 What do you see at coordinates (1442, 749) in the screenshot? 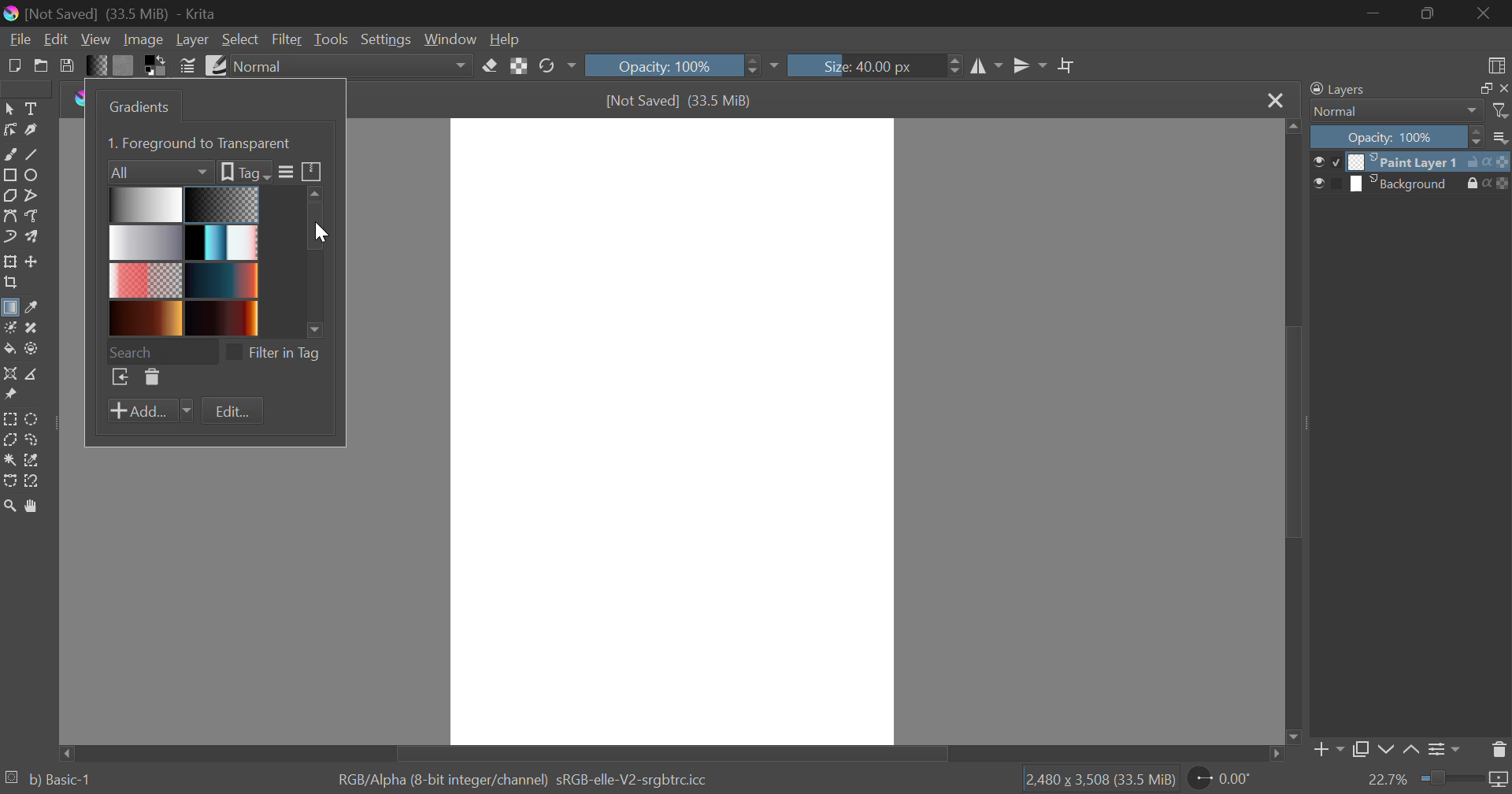
I see `Layer Settings` at bounding box center [1442, 749].